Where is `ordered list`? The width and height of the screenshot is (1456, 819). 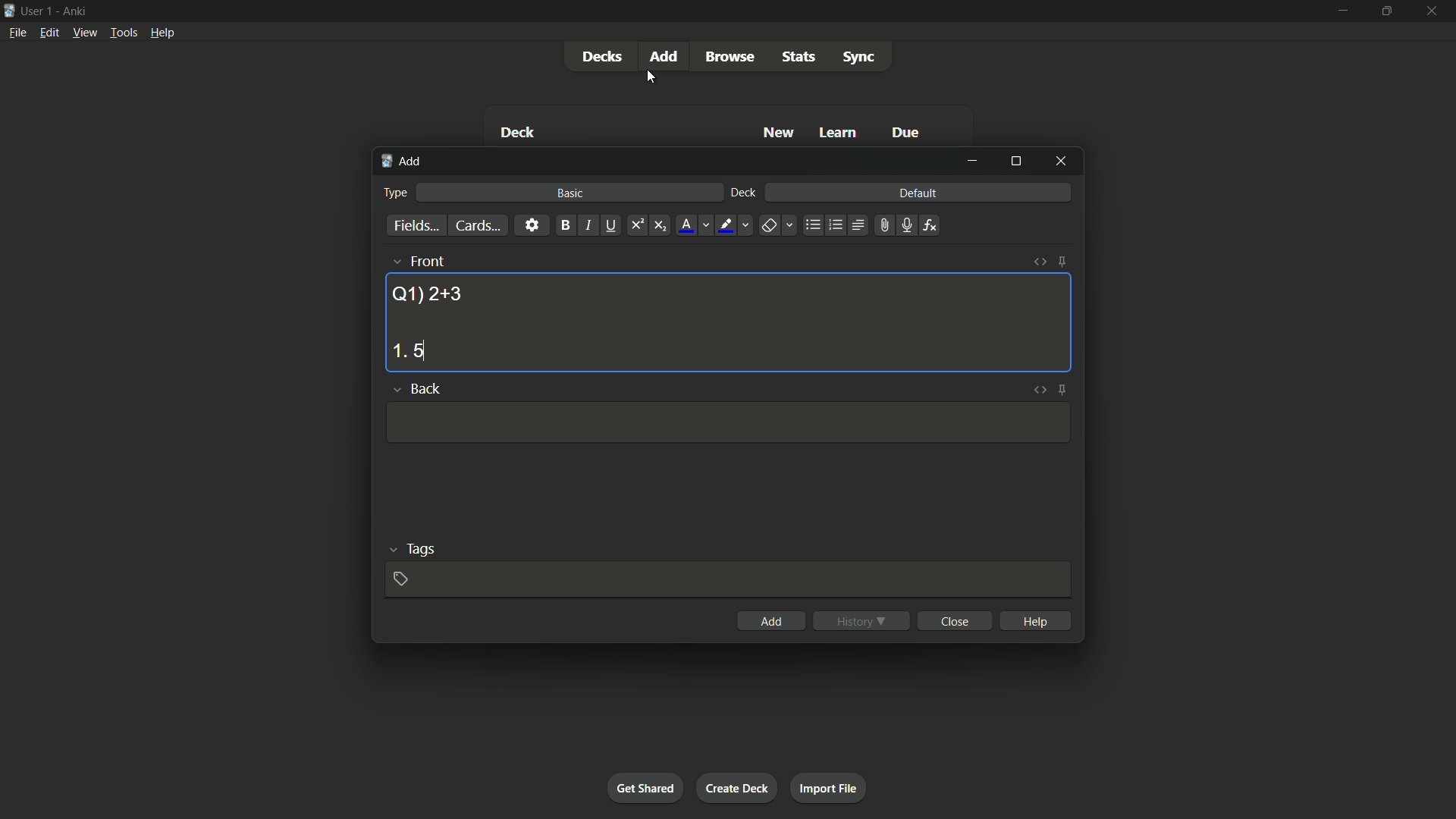 ordered list is located at coordinates (836, 225).